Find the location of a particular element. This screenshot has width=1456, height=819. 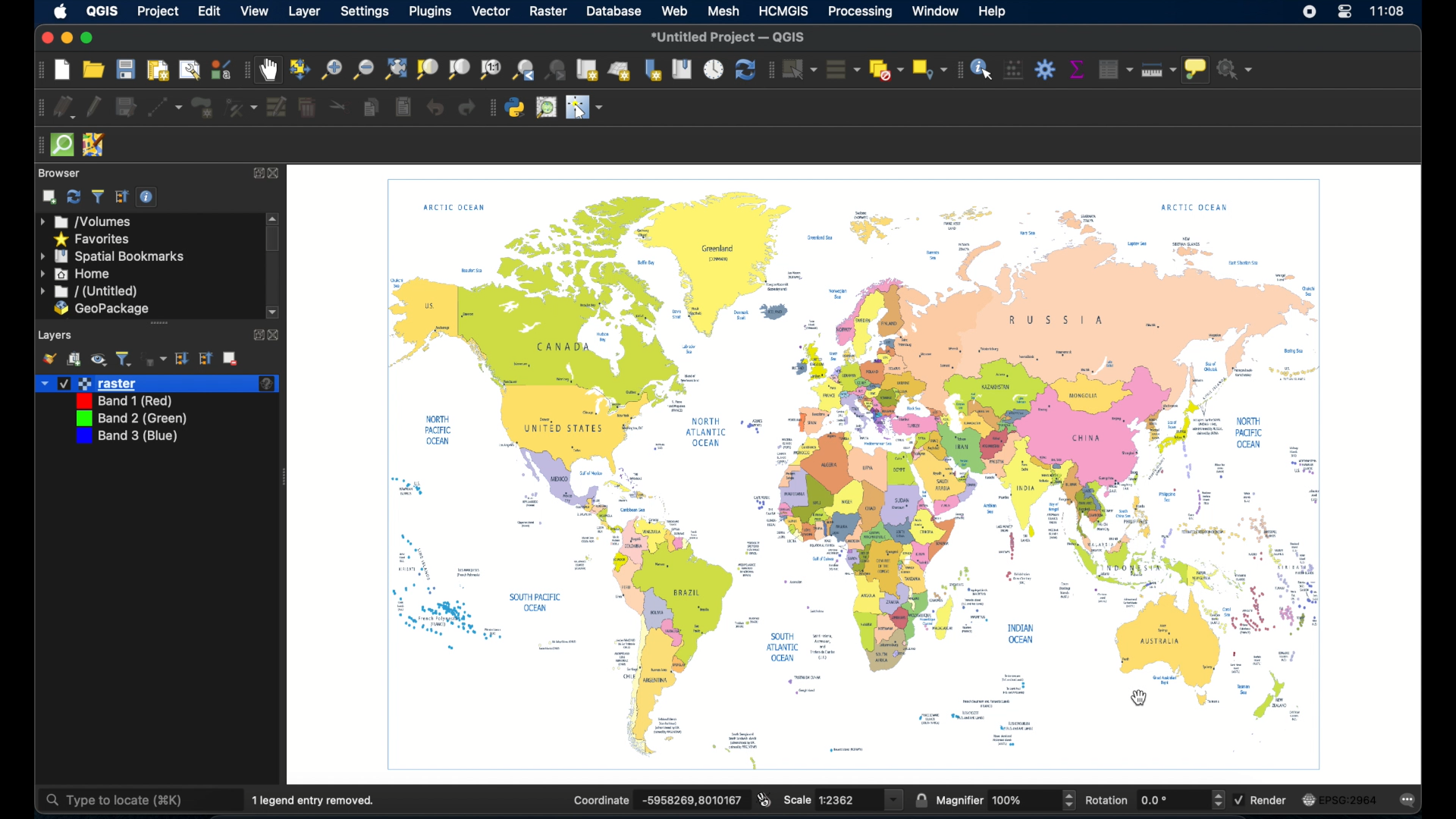

rotations is located at coordinates (1155, 800).